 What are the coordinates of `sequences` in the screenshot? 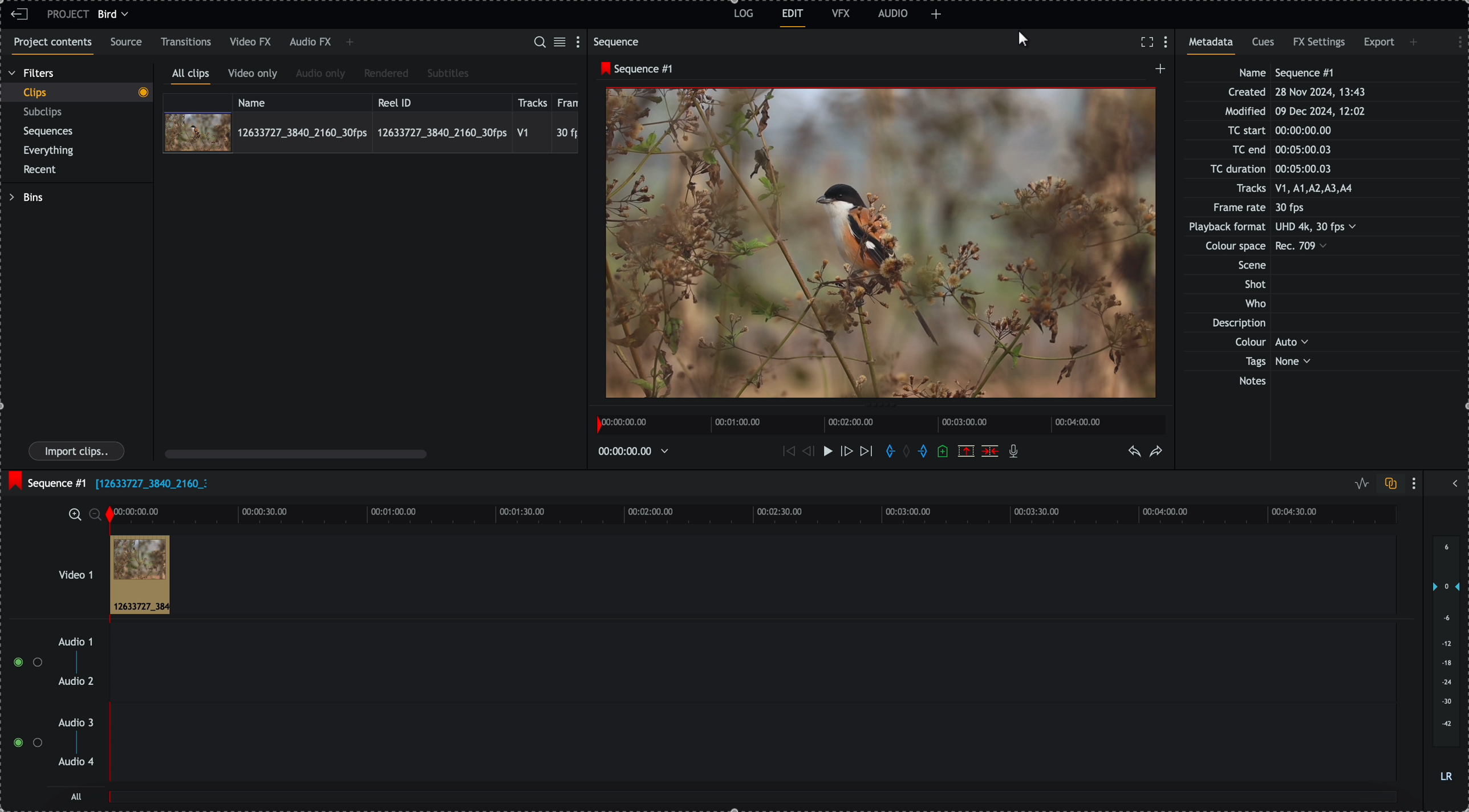 It's located at (48, 133).